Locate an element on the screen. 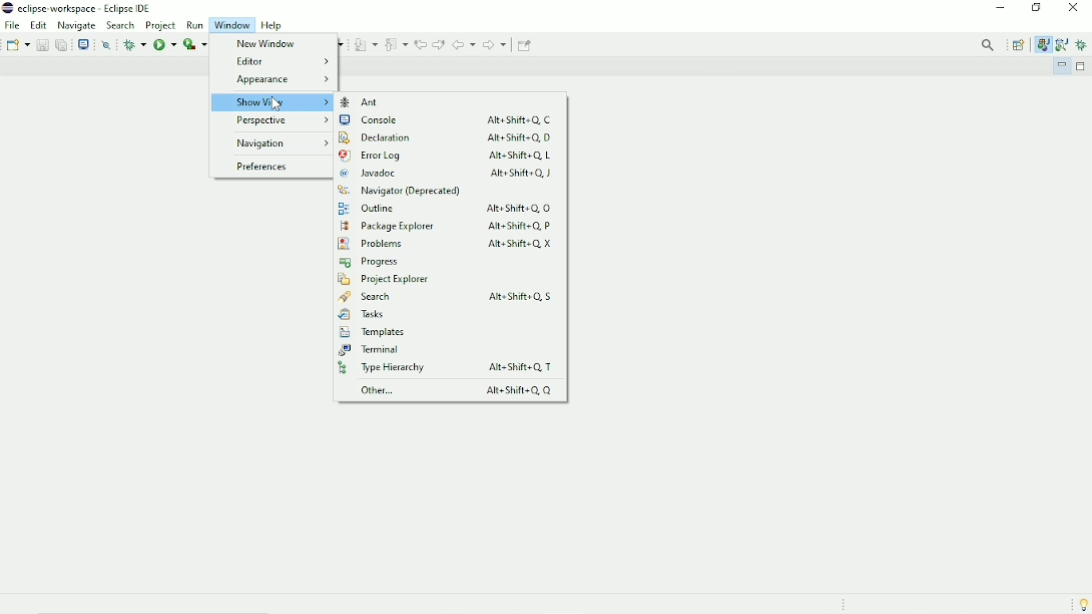 The width and height of the screenshot is (1092, 614). Close is located at coordinates (1074, 11).